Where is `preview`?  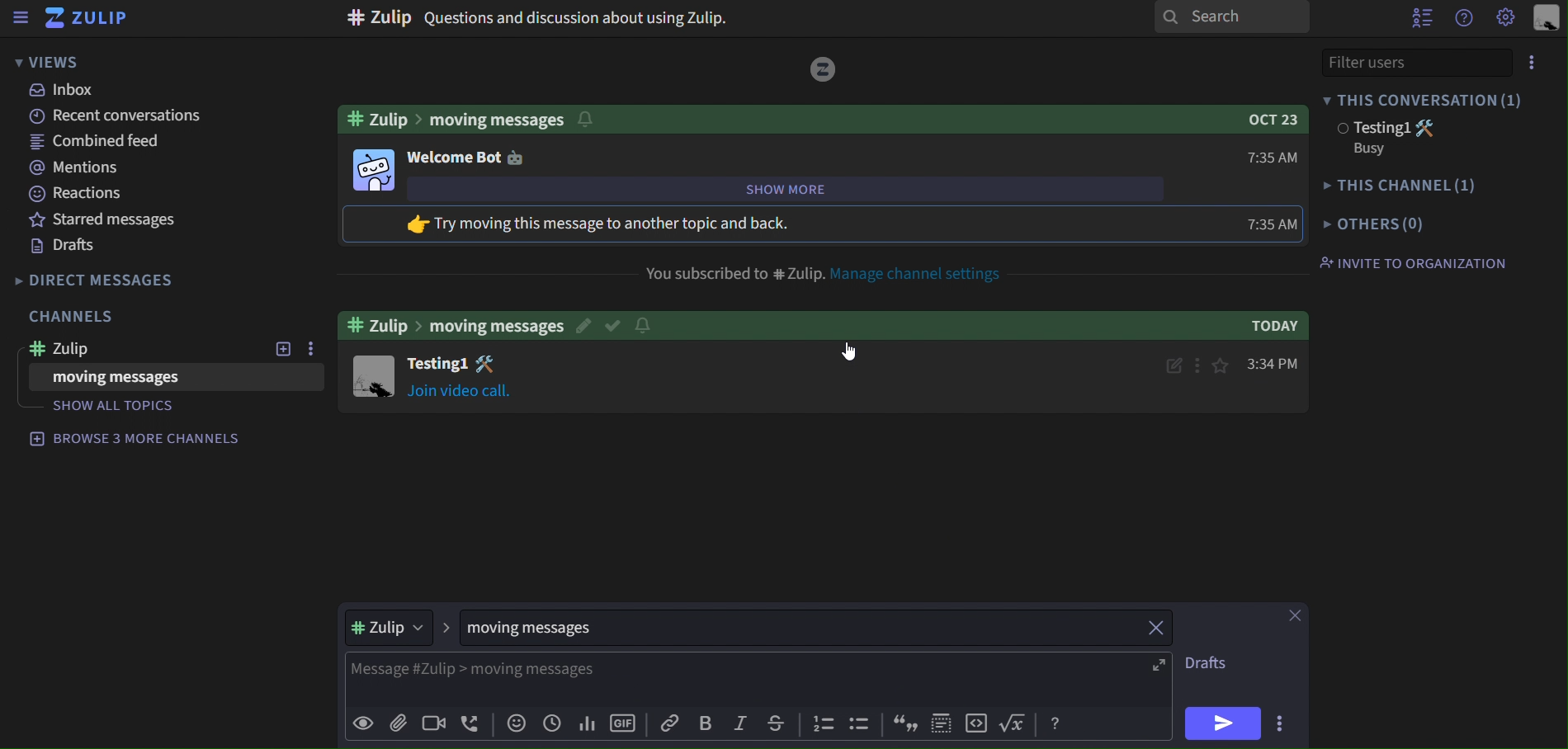
preview is located at coordinates (364, 726).